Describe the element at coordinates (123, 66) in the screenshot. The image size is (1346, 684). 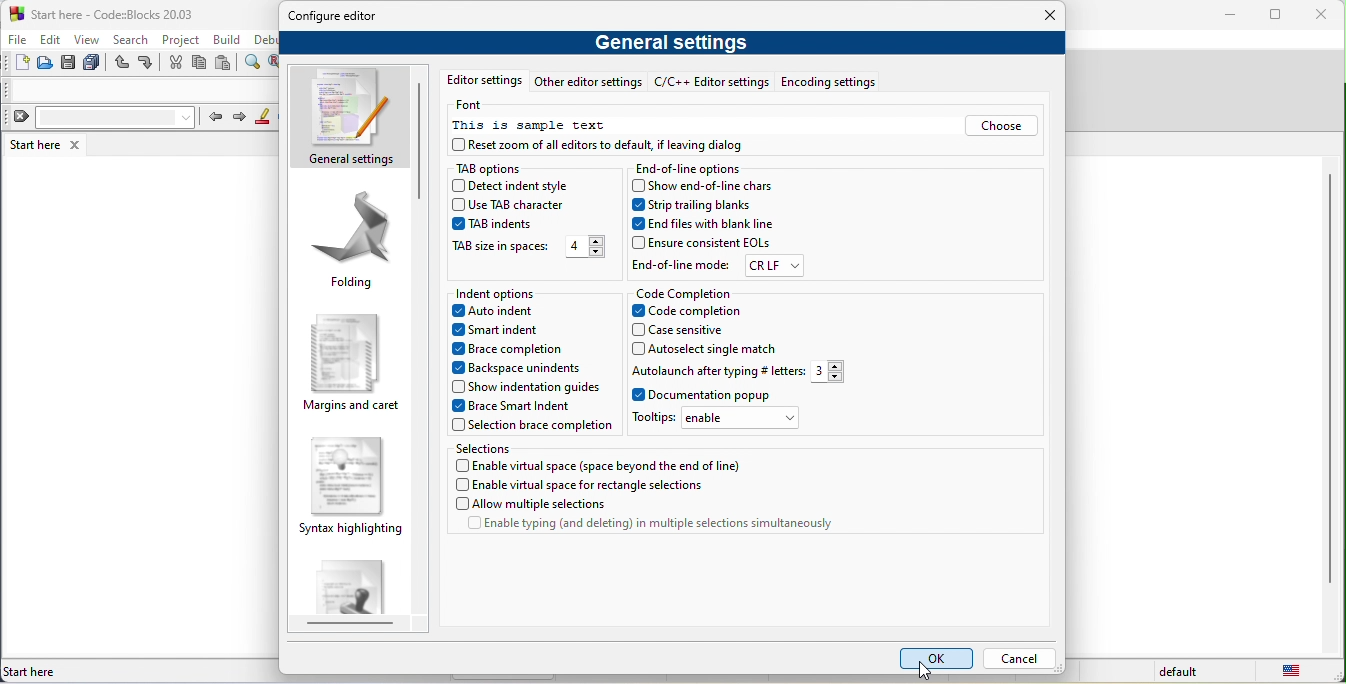
I see `undo` at that location.